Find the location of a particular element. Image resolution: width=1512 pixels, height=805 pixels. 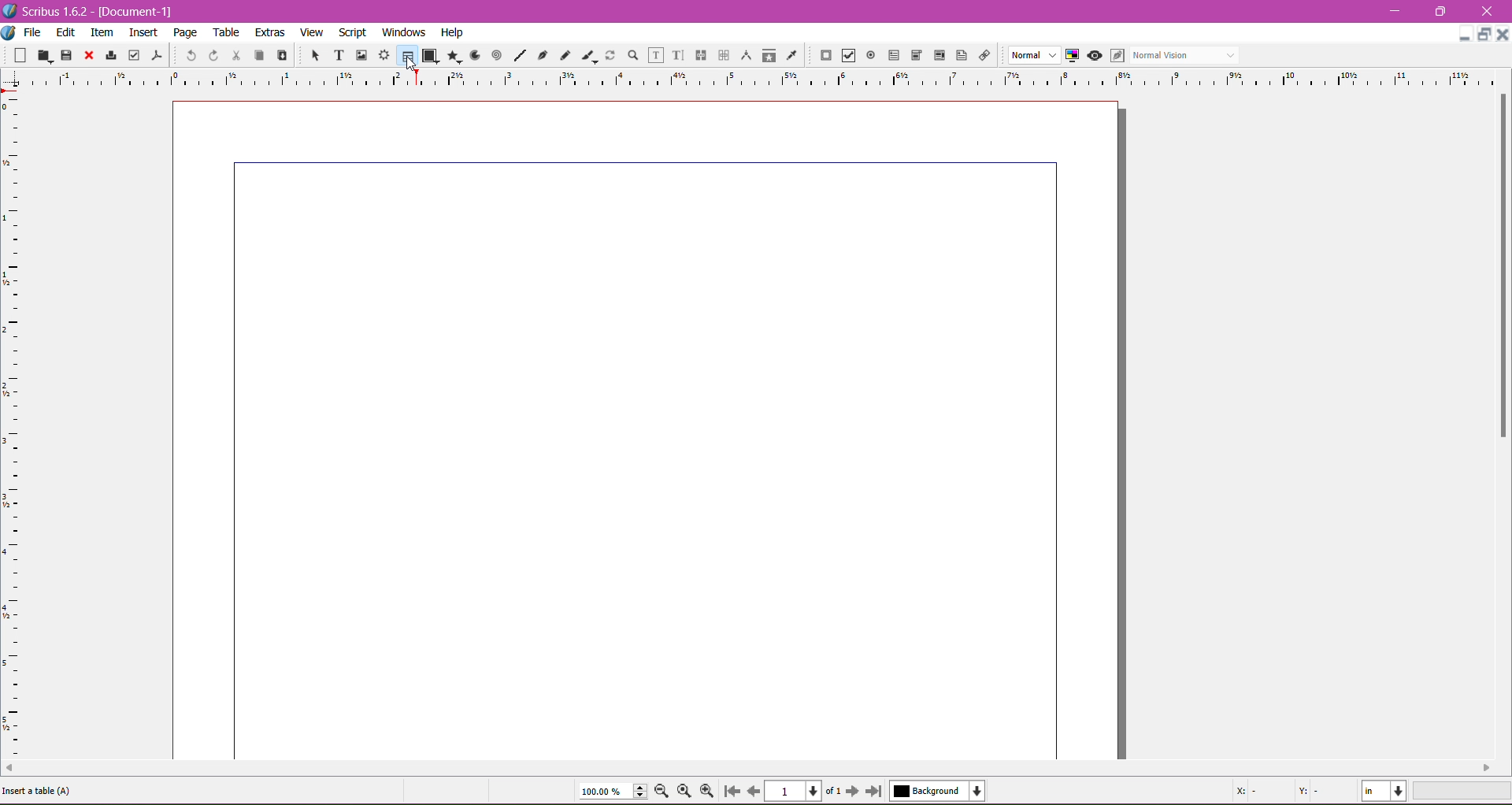

First Page is located at coordinates (731, 793).